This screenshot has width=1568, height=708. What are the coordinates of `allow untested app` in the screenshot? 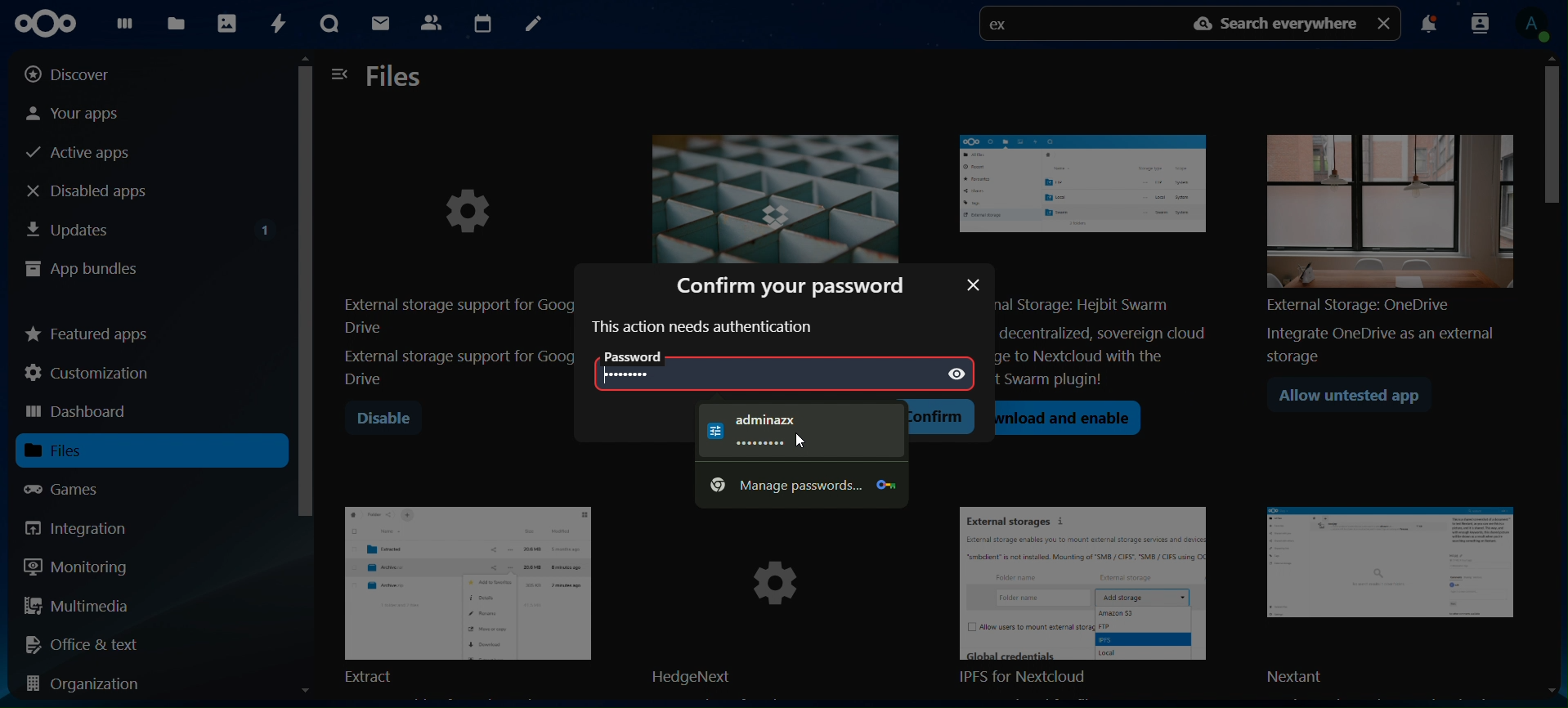 It's located at (1357, 398).